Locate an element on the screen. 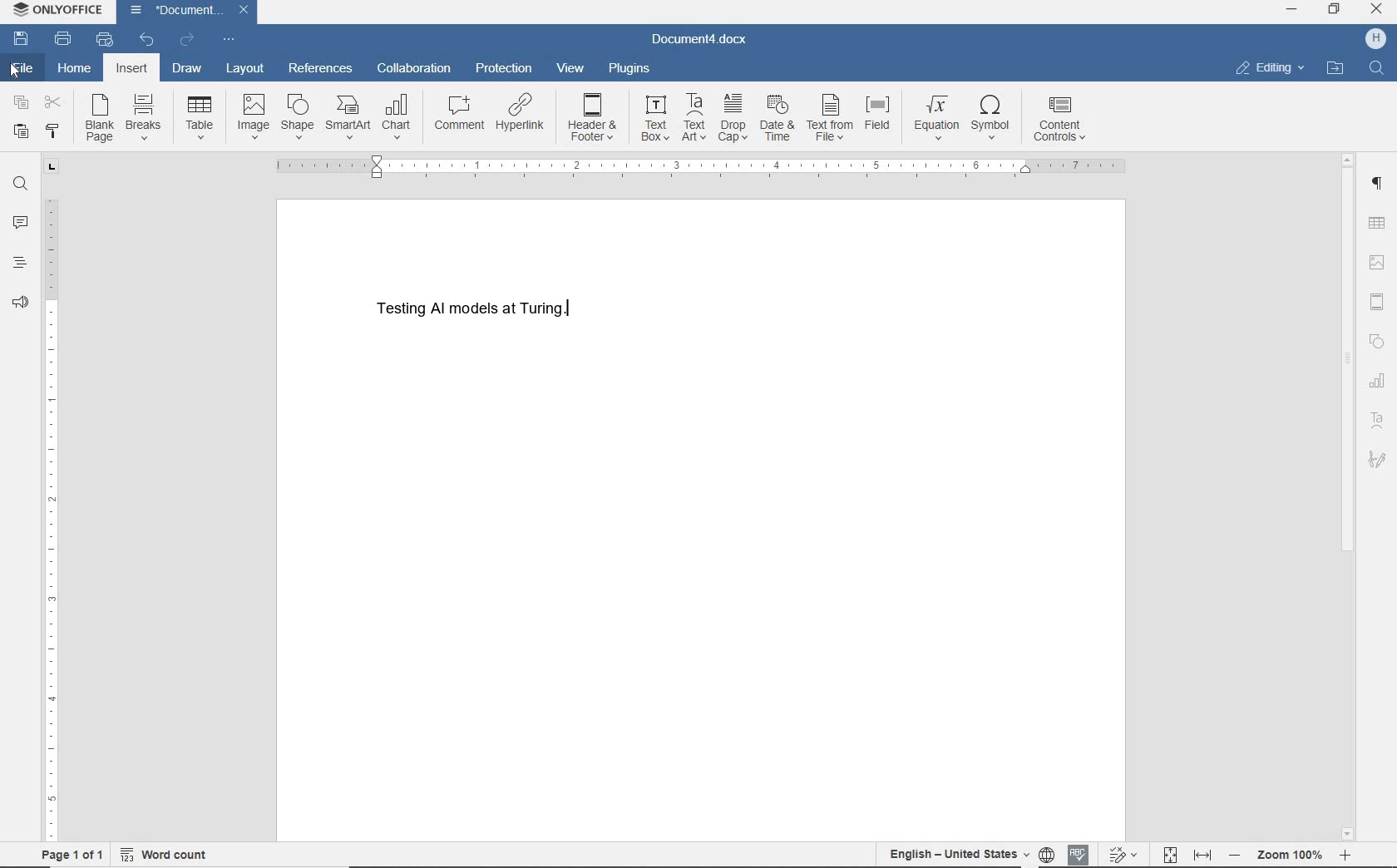 The width and height of the screenshot is (1397, 868). shape is located at coordinates (1379, 344).